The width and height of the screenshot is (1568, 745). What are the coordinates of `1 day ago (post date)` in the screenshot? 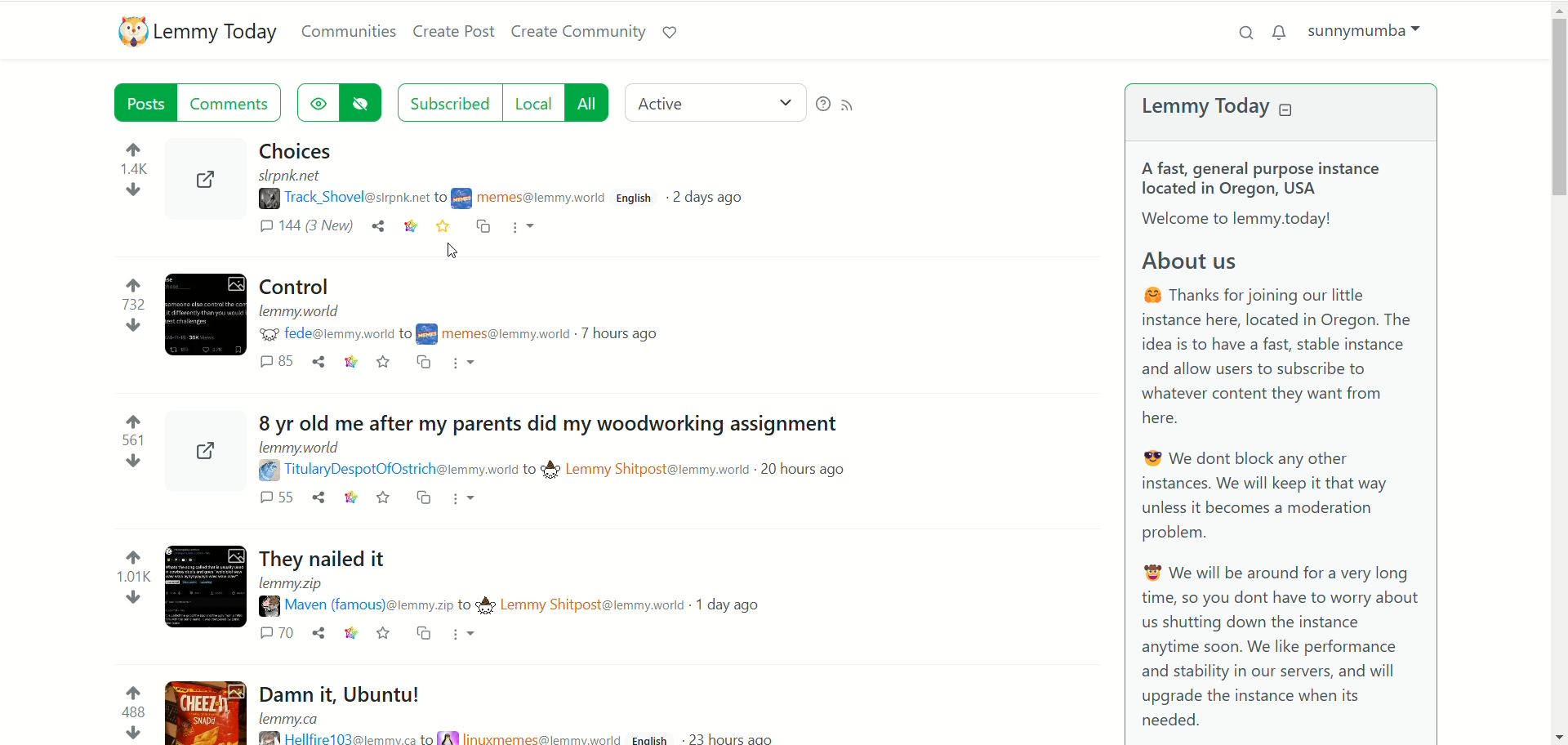 It's located at (735, 605).